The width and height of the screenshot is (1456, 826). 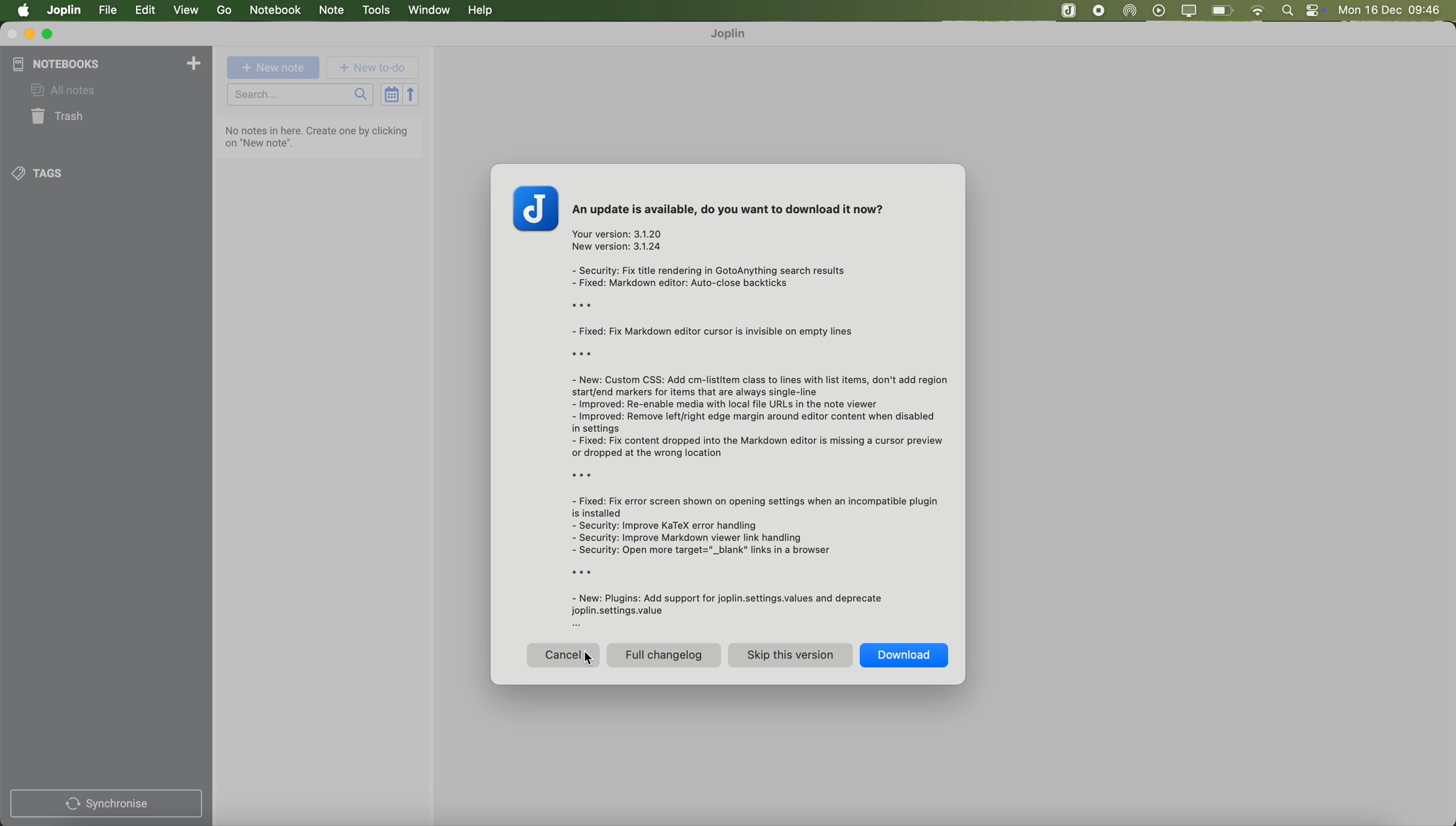 What do you see at coordinates (1189, 11) in the screenshot?
I see `screen` at bounding box center [1189, 11].